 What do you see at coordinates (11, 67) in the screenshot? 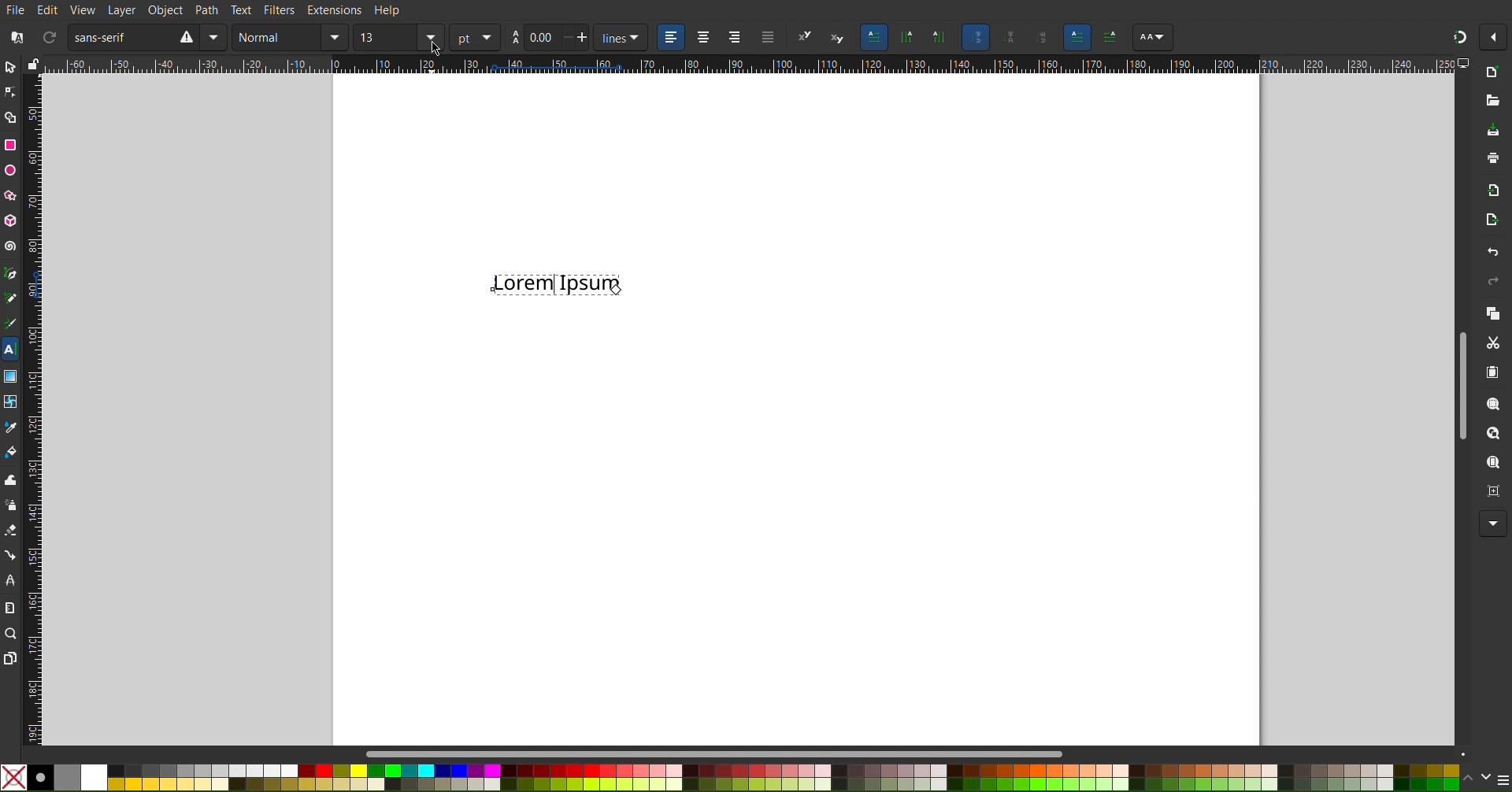
I see `Select` at bounding box center [11, 67].